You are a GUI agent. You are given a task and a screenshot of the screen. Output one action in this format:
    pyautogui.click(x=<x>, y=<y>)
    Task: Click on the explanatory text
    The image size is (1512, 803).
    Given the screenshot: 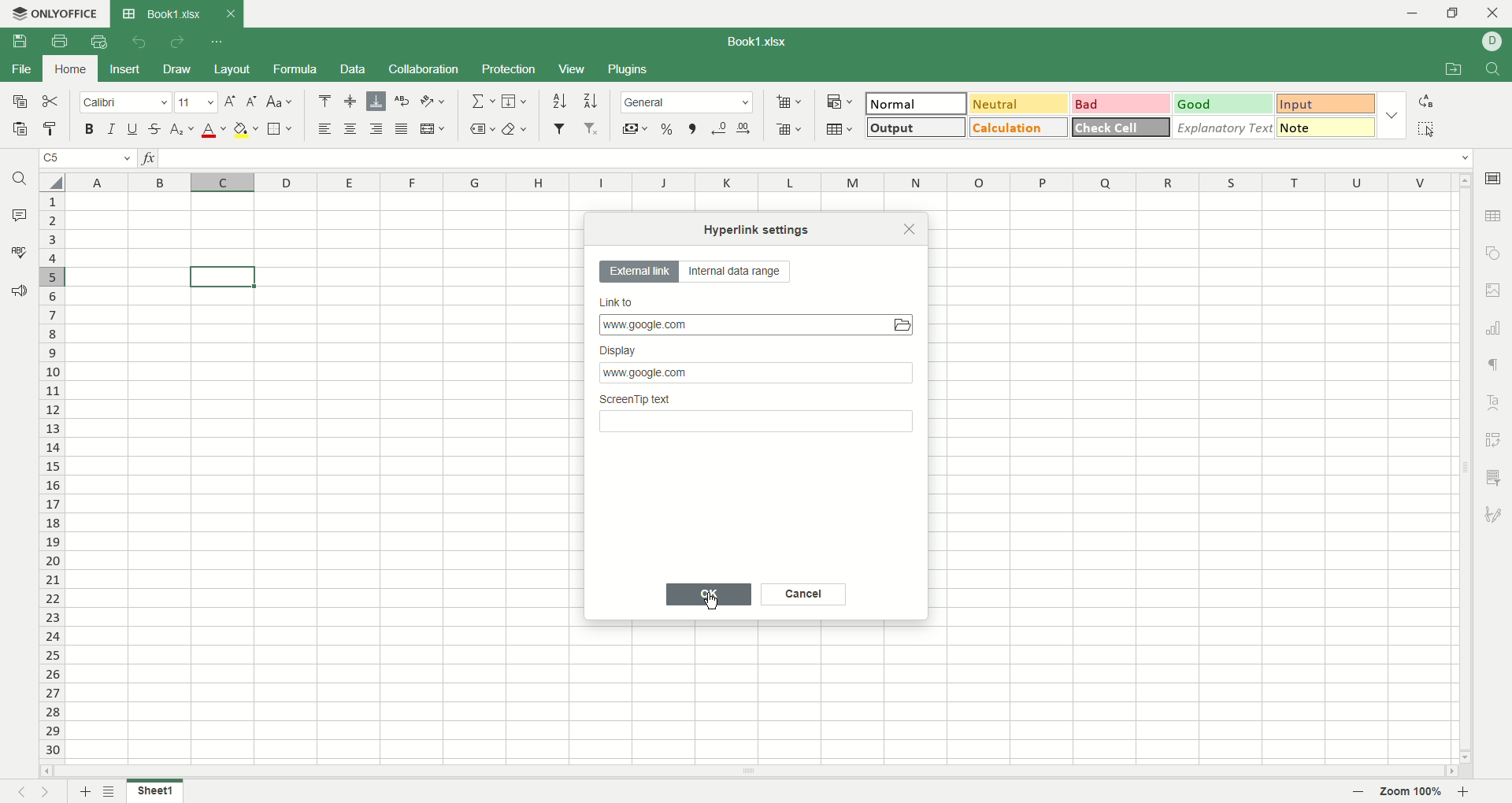 What is the action you would take?
    pyautogui.click(x=1225, y=127)
    